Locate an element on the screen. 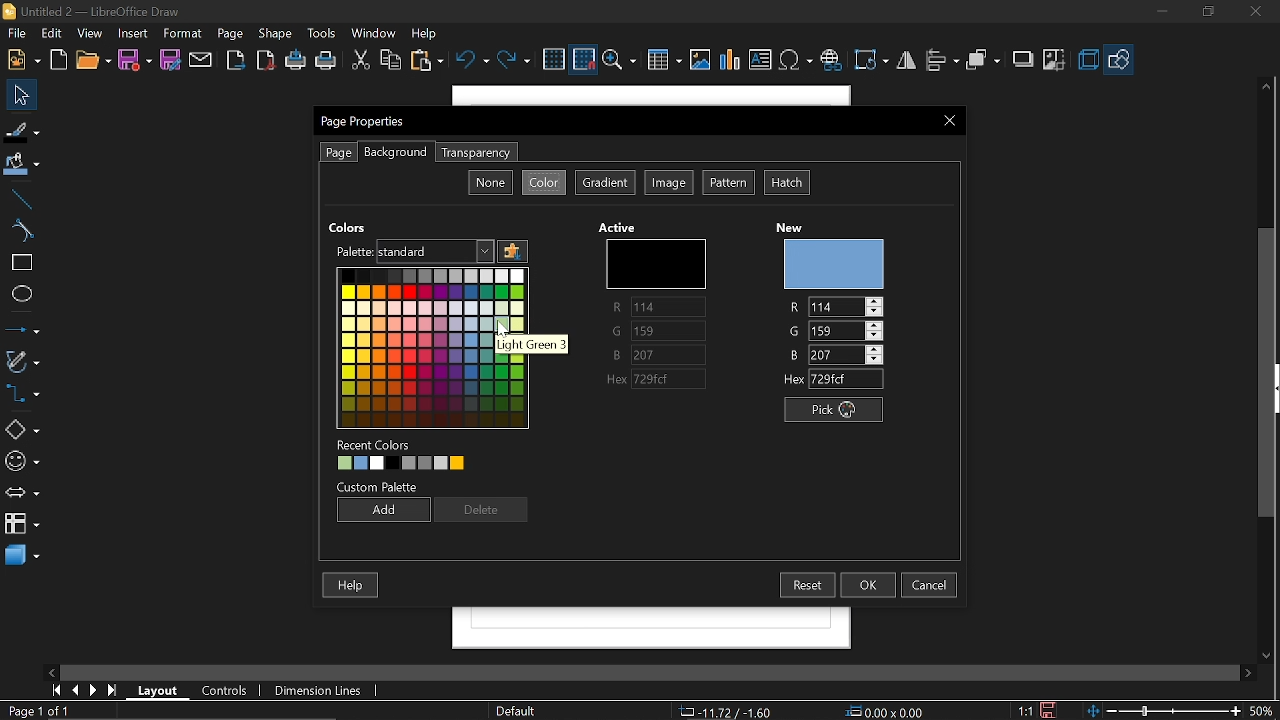  Tools is located at coordinates (323, 34).